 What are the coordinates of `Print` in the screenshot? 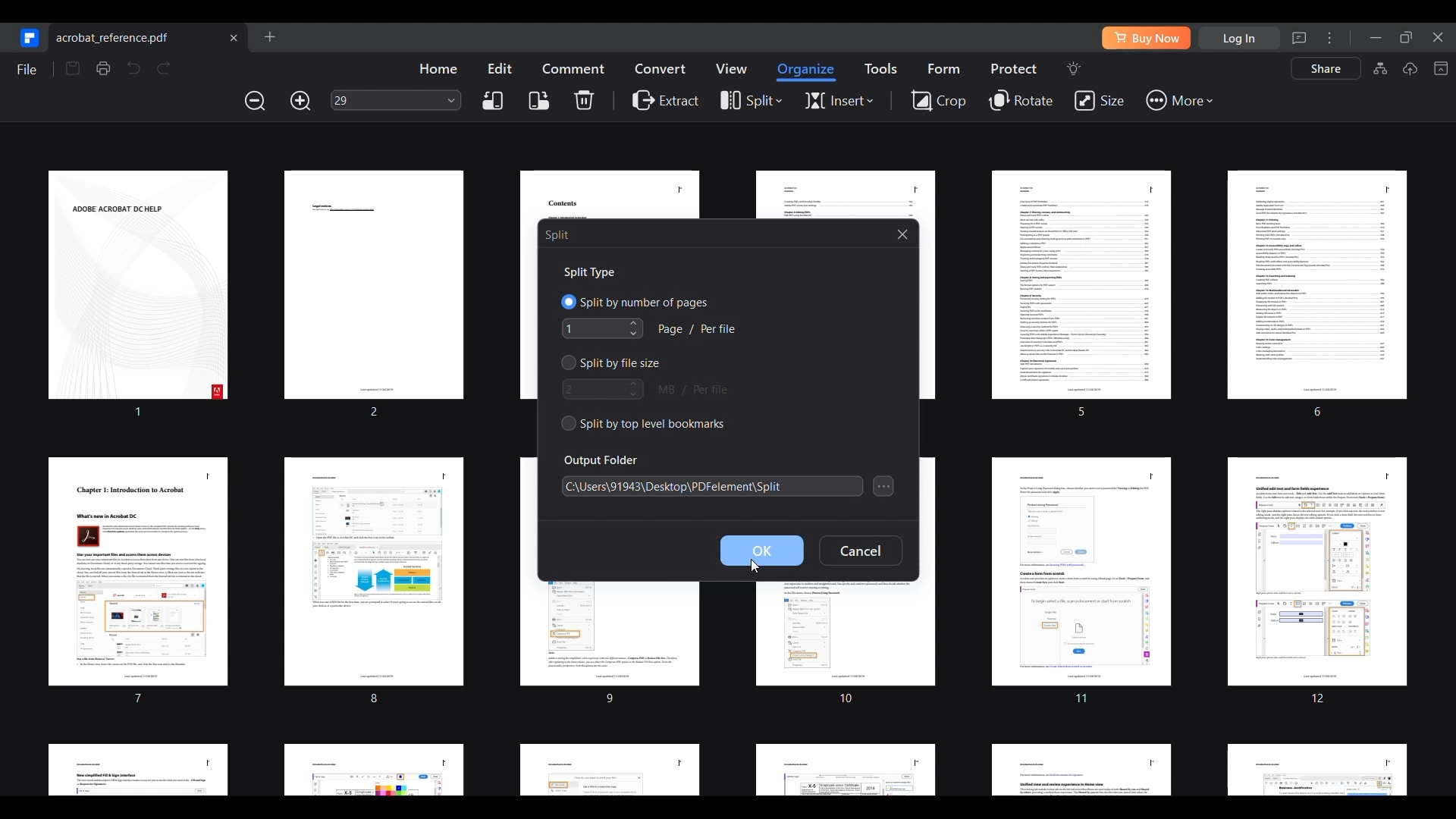 It's located at (102, 68).